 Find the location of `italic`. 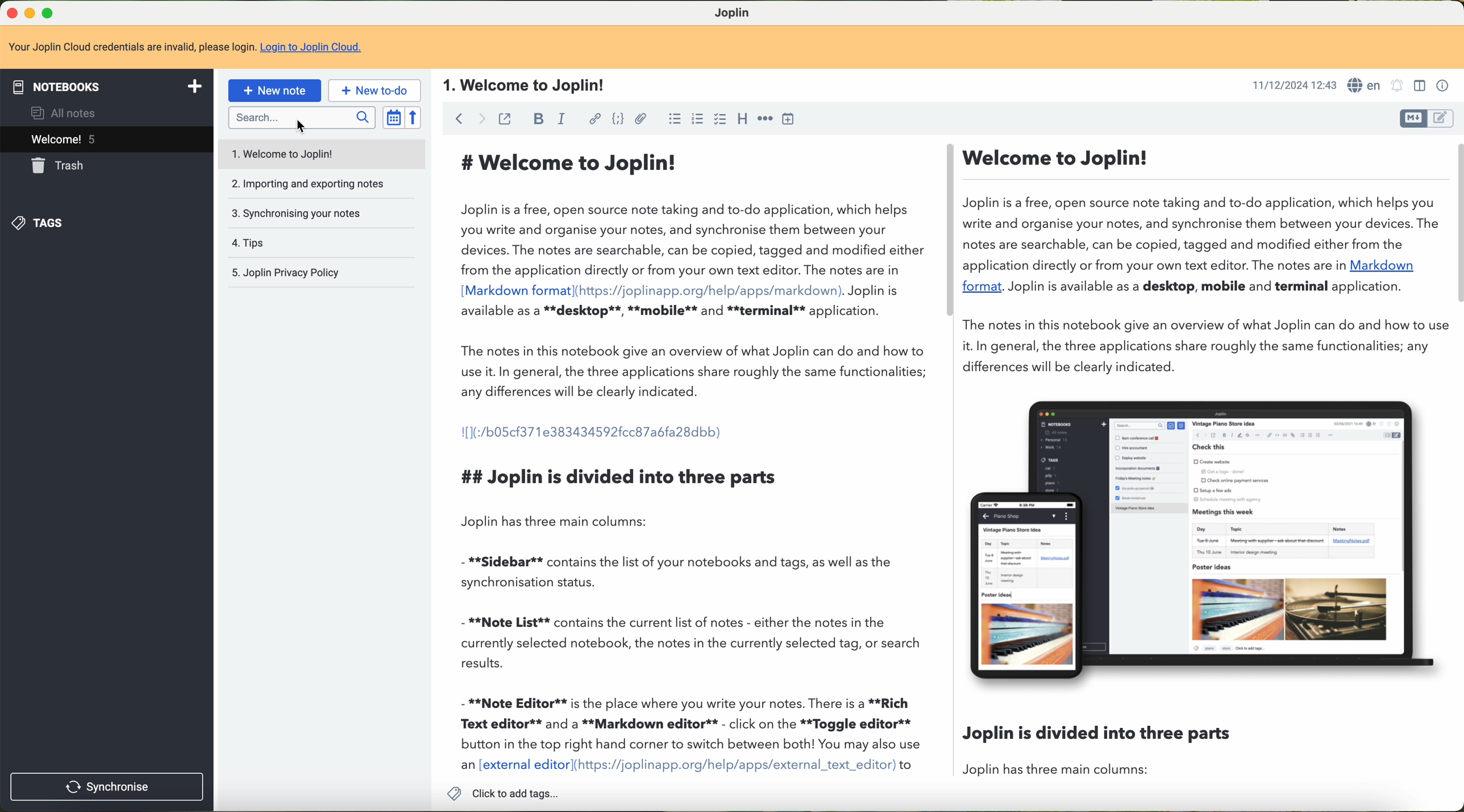

italic is located at coordinates (564, 119).